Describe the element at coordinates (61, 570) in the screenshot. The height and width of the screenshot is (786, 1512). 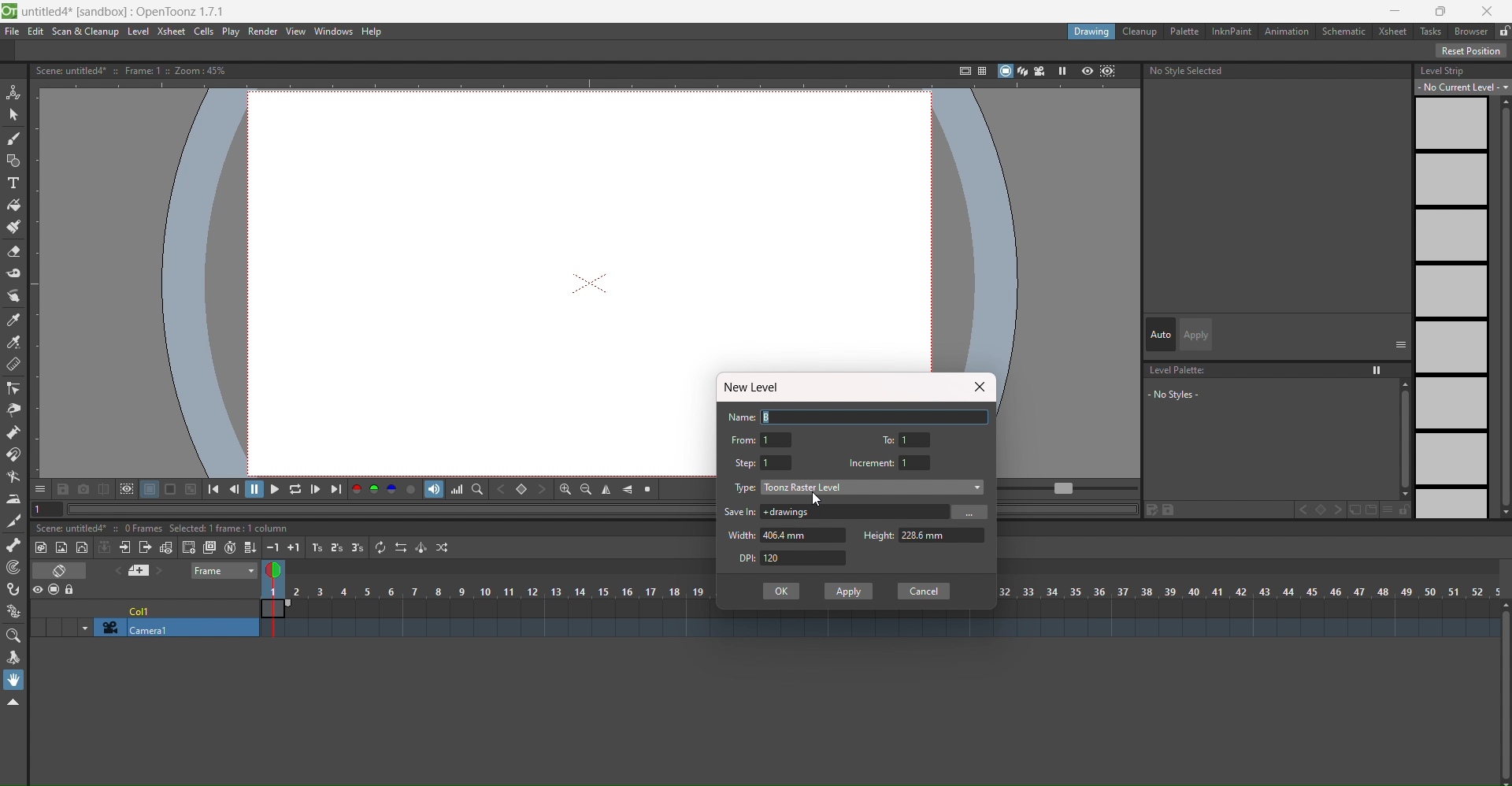
I see `` at that location.